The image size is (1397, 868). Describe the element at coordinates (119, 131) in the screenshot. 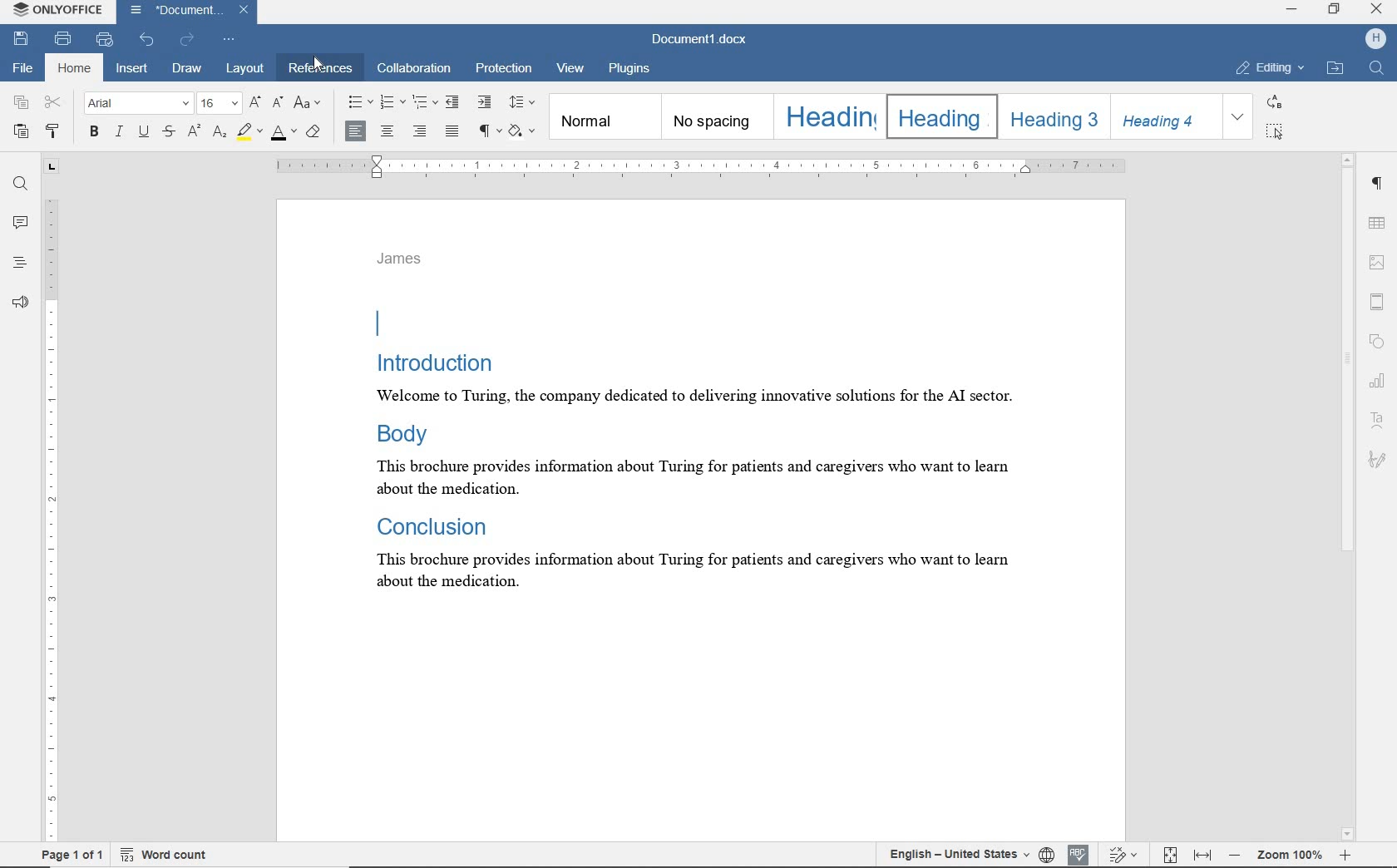

I see `italic` at that location.